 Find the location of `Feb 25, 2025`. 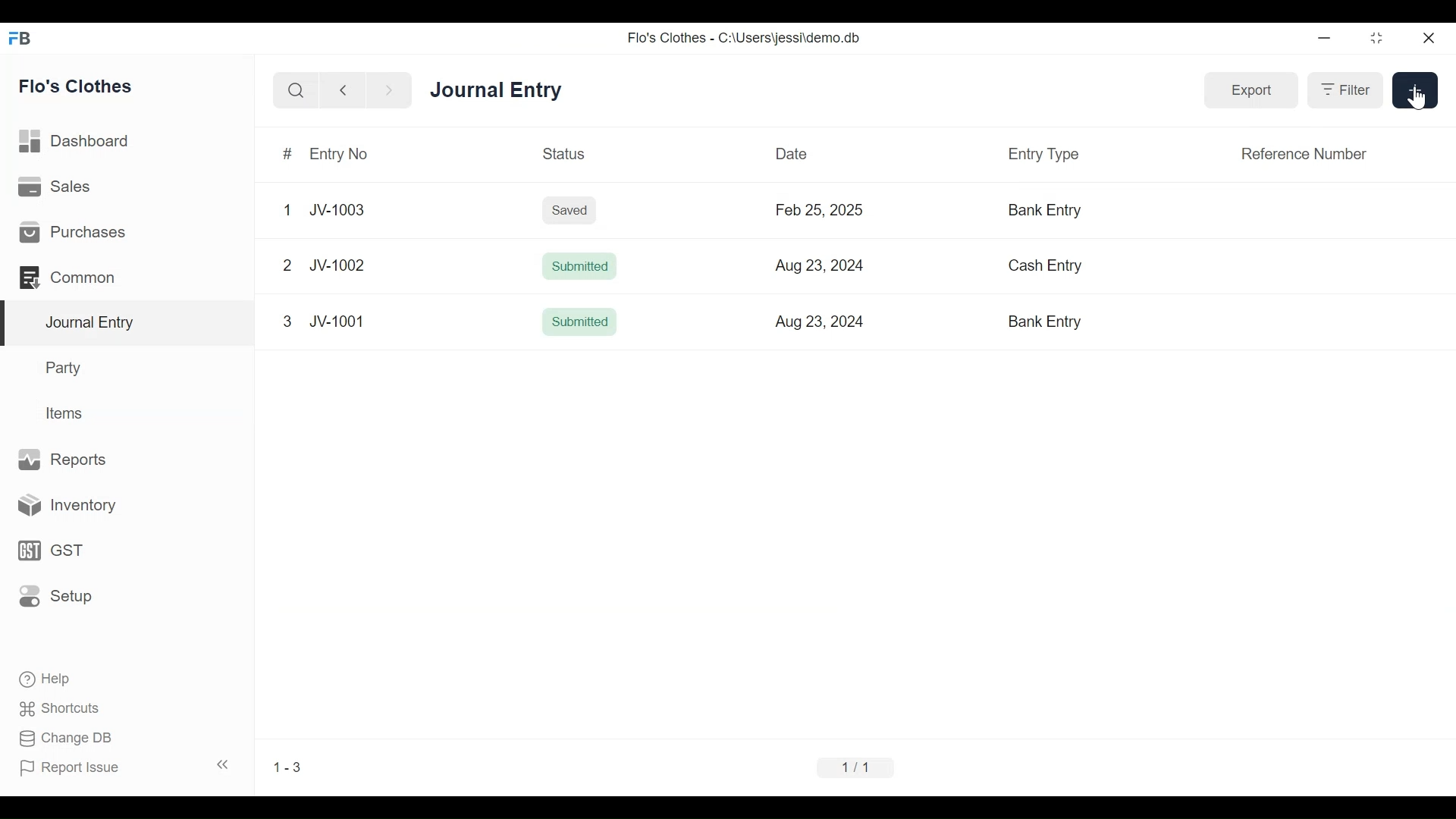

Feb 25, 2025 is located at coordinates (822, 209).